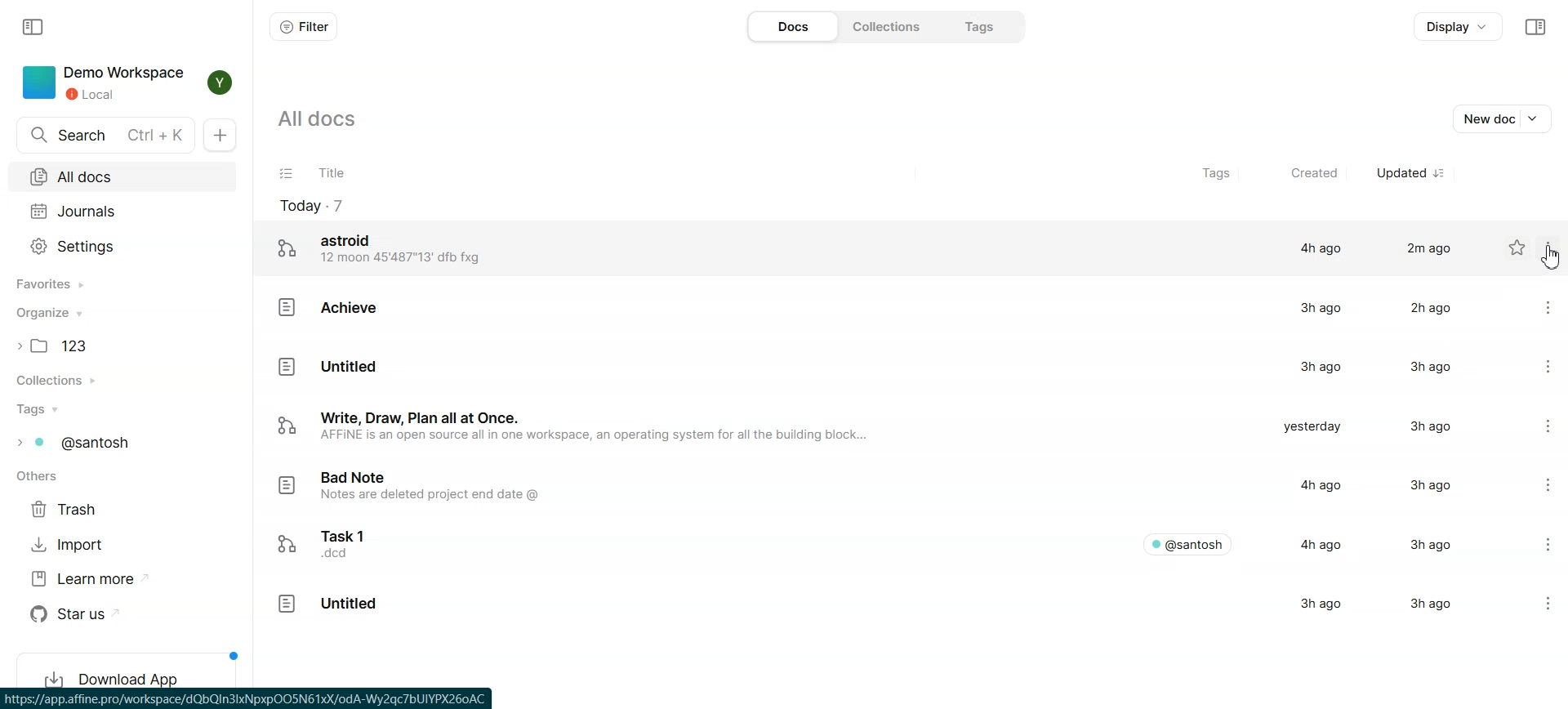  What do you see at coordinates (1188, 543) in the screenshot?
I see `© @santosh` at bounding box center [1188, 543].